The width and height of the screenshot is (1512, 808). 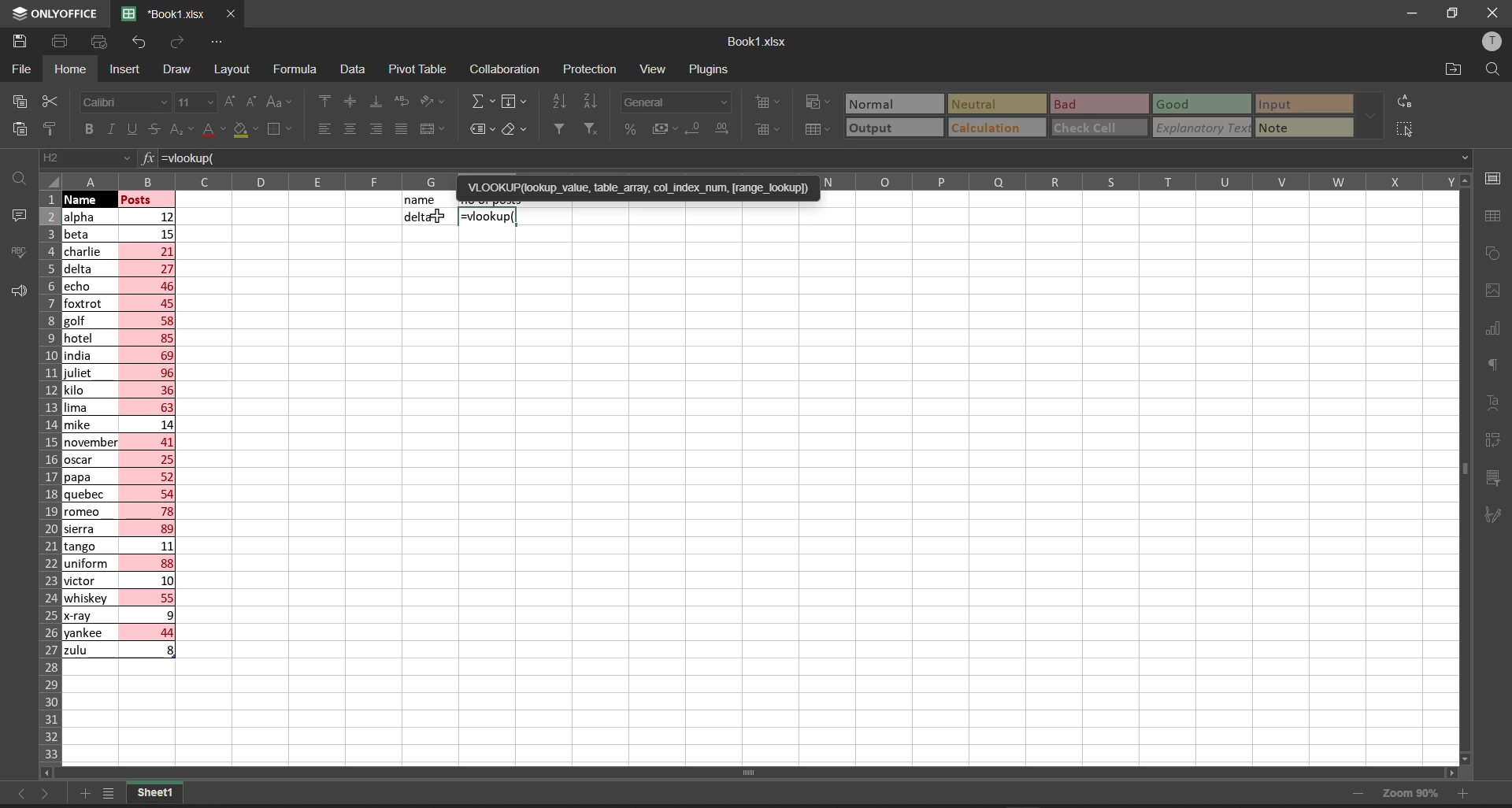 What do you see at coordinates (160, 14) in the screenshot?
I see `'Book1.xlsx` at bounding box center [160, 14].